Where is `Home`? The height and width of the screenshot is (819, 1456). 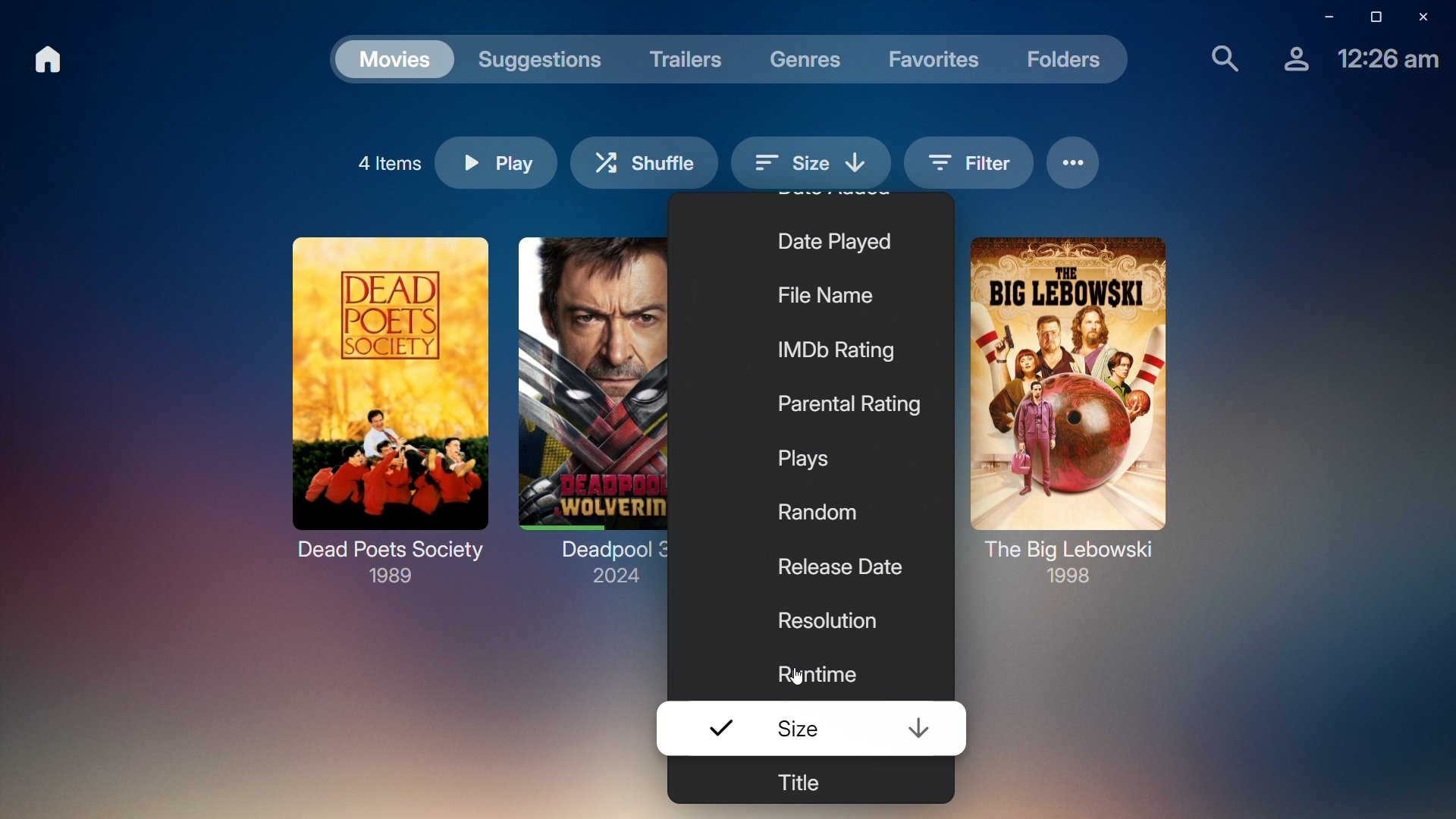 Home is located at coordinates (52, 62).